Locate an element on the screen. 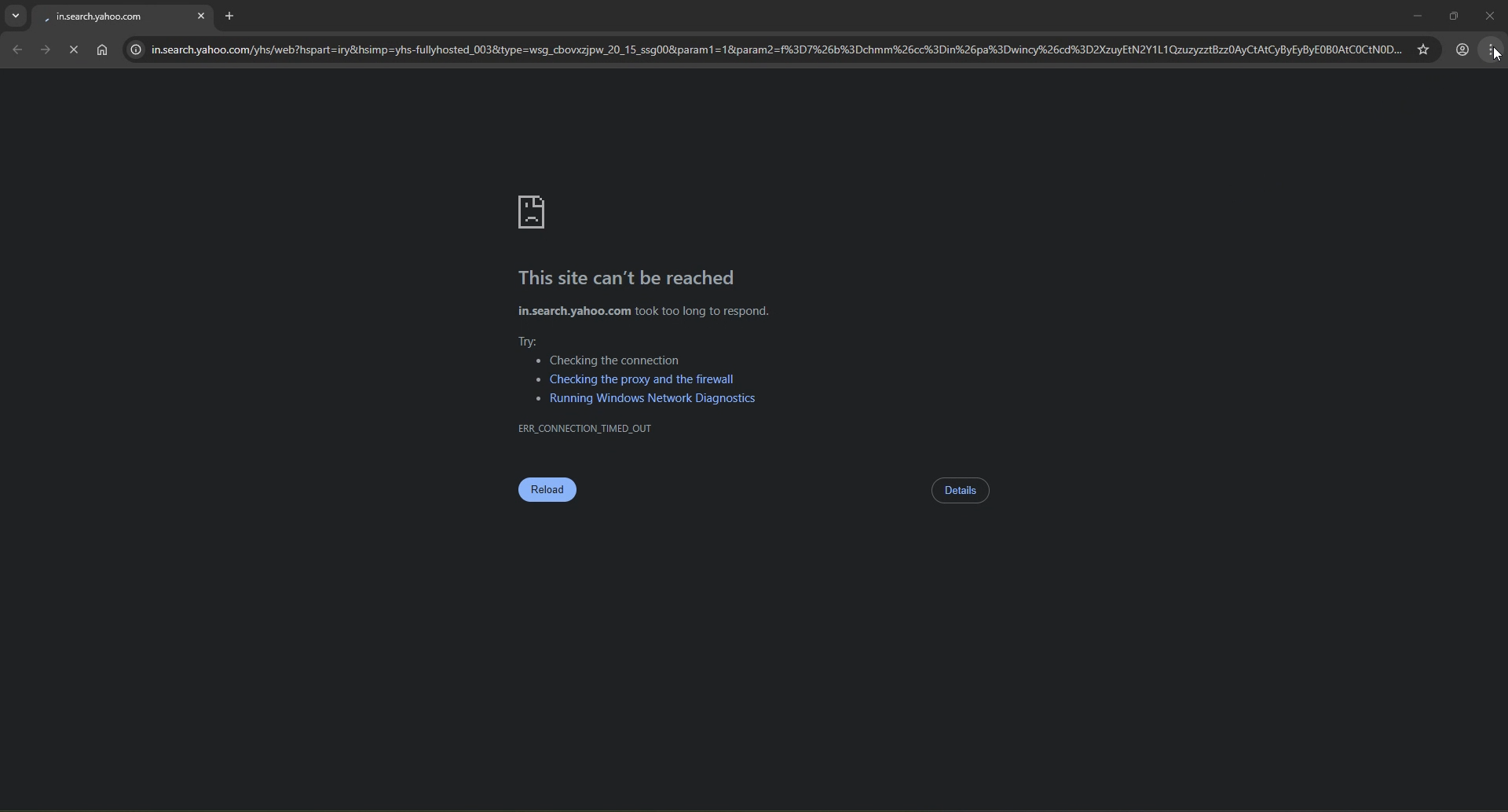 Image resolution: width=1508 pixels, height=812 pixels. ERR_CONNECTION_TIMED_OUT is located at coordinates (586, 428).